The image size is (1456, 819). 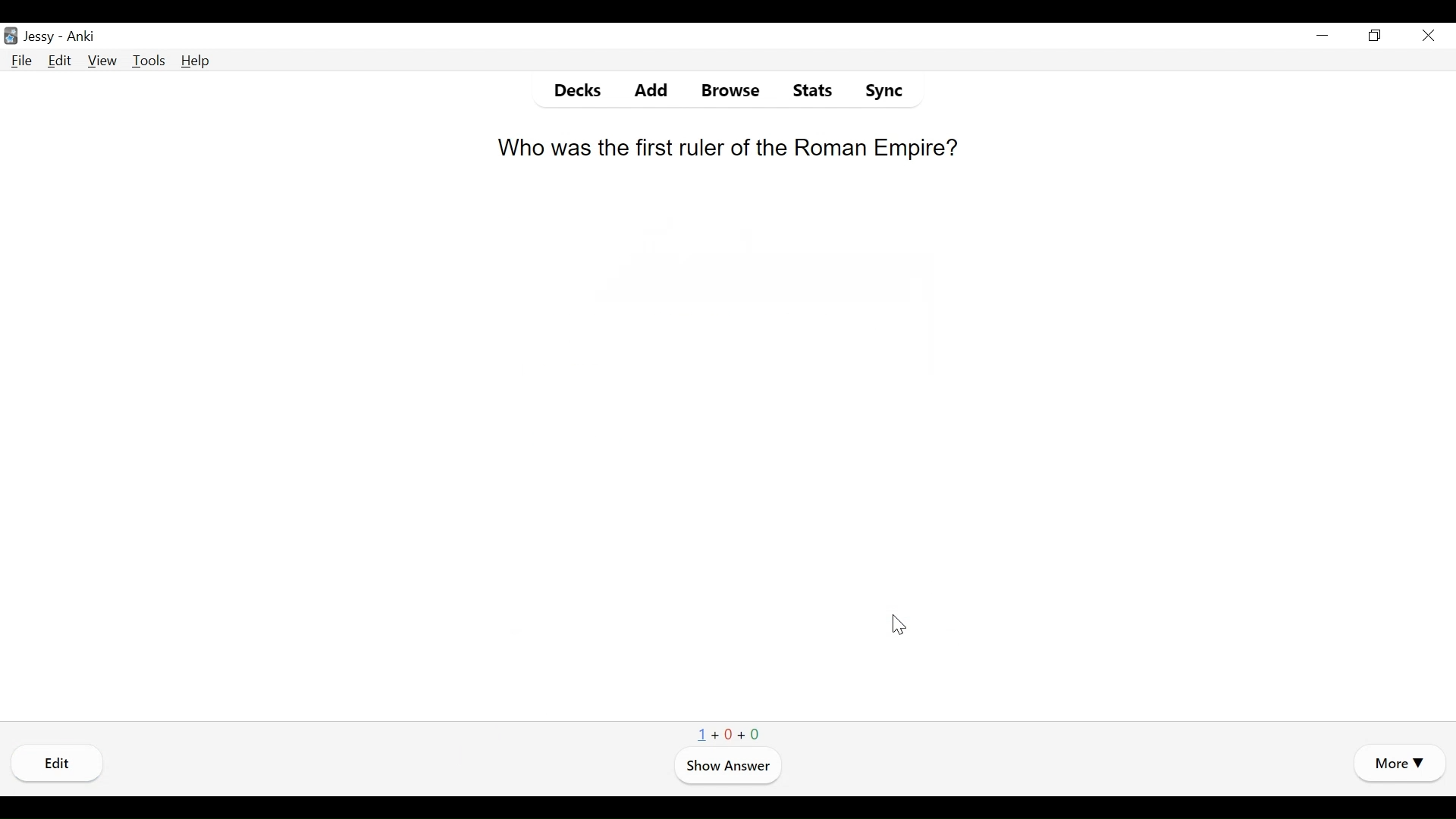 I want to click on Help, so click(x=196, y=61).